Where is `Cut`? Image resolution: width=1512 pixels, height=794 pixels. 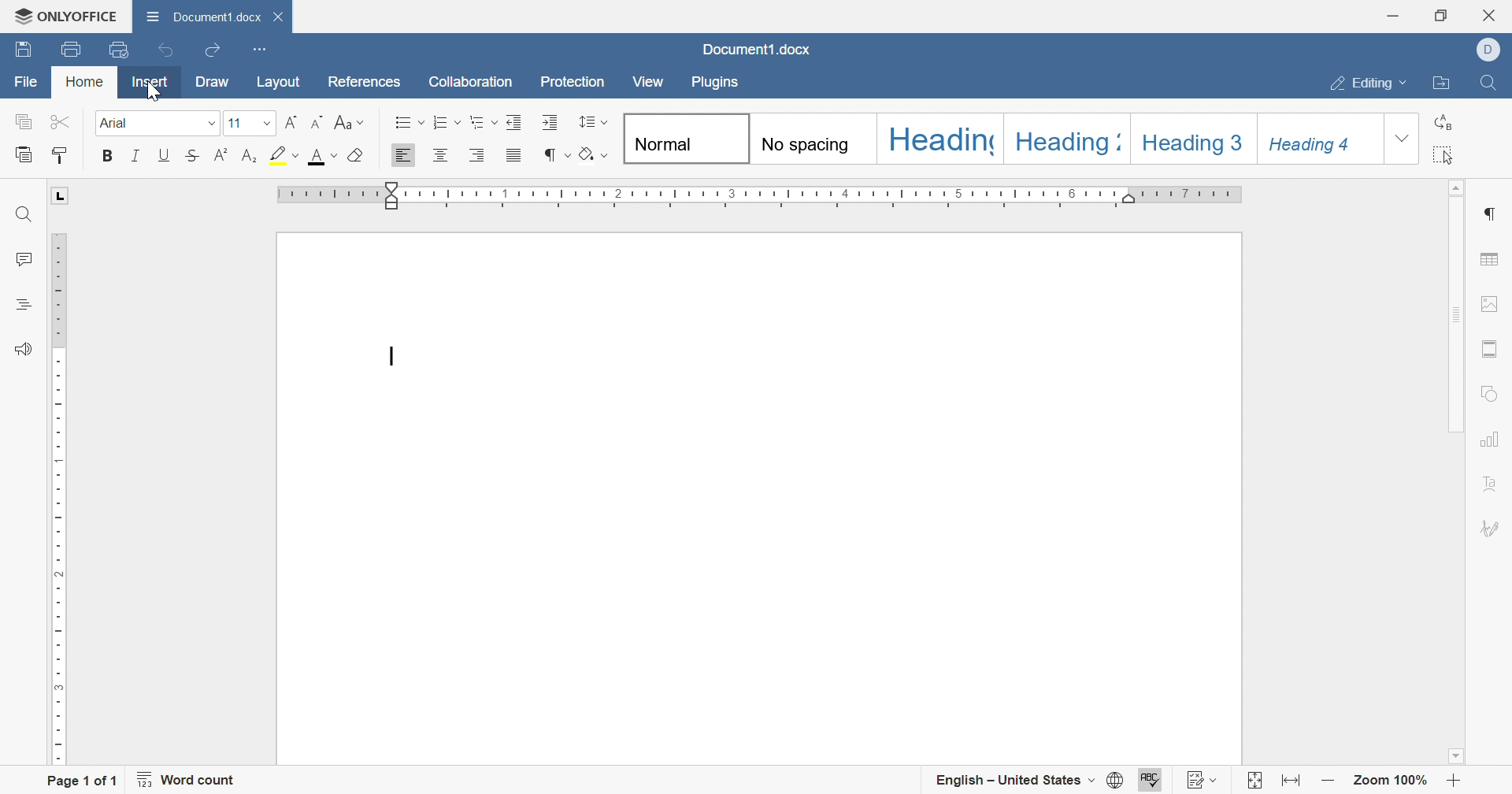 Cut is located at coordinates (63, 121).